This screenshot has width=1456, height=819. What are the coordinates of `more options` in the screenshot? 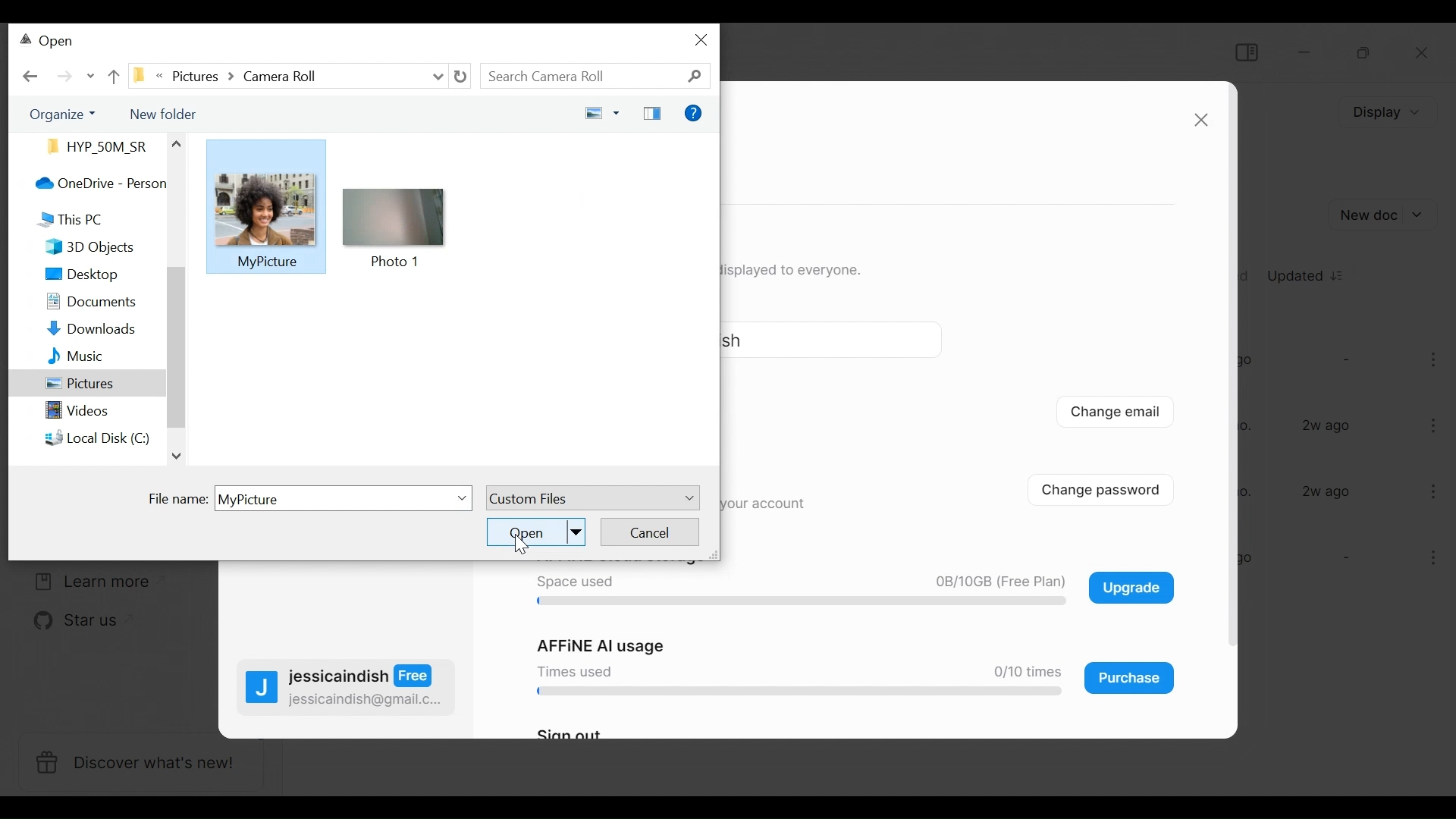 It's located at (1436, 362).